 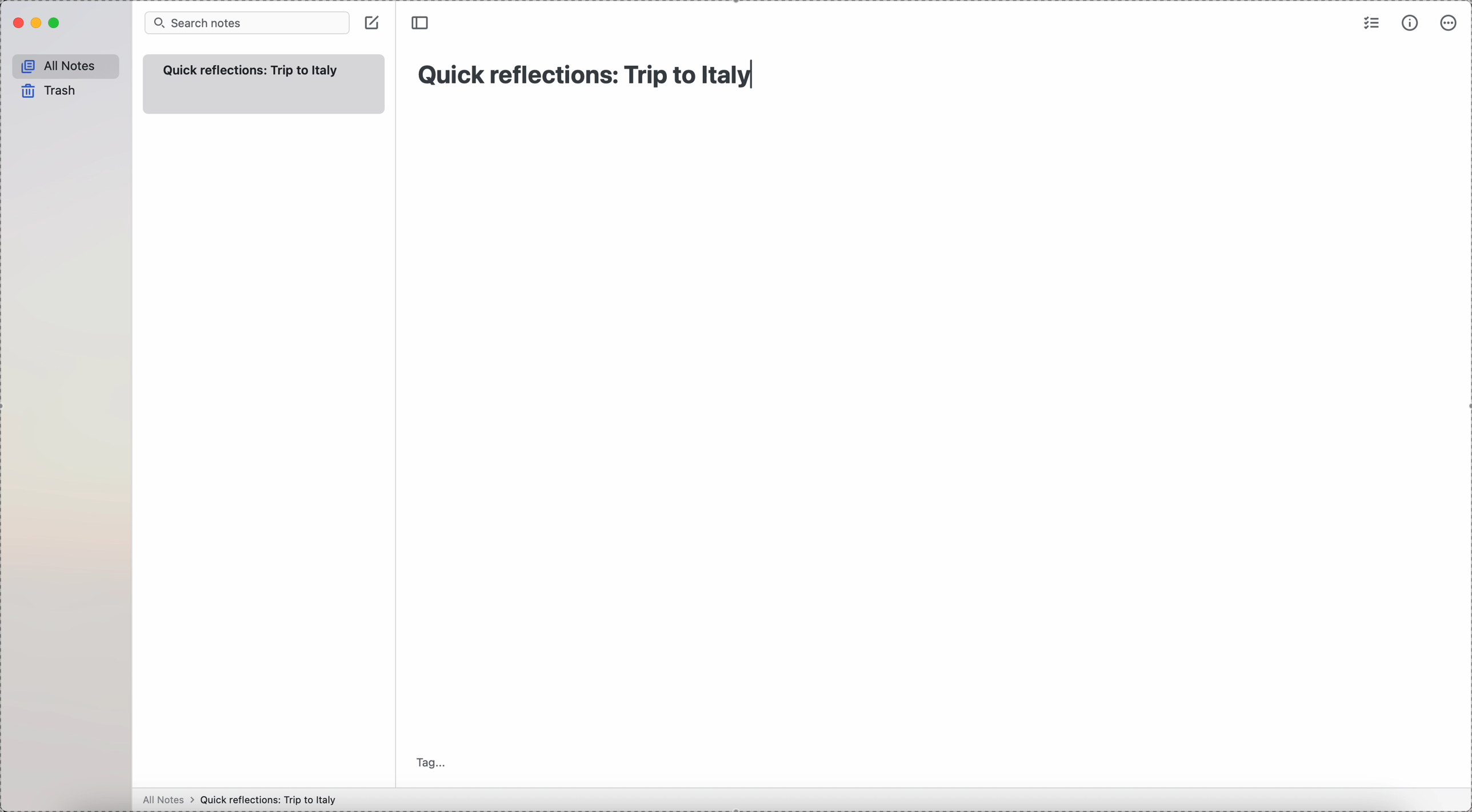 What do you see at coordinates (17, 23) in the screenshot?
I see `close Simplenote` at bounding box center [17, 23].